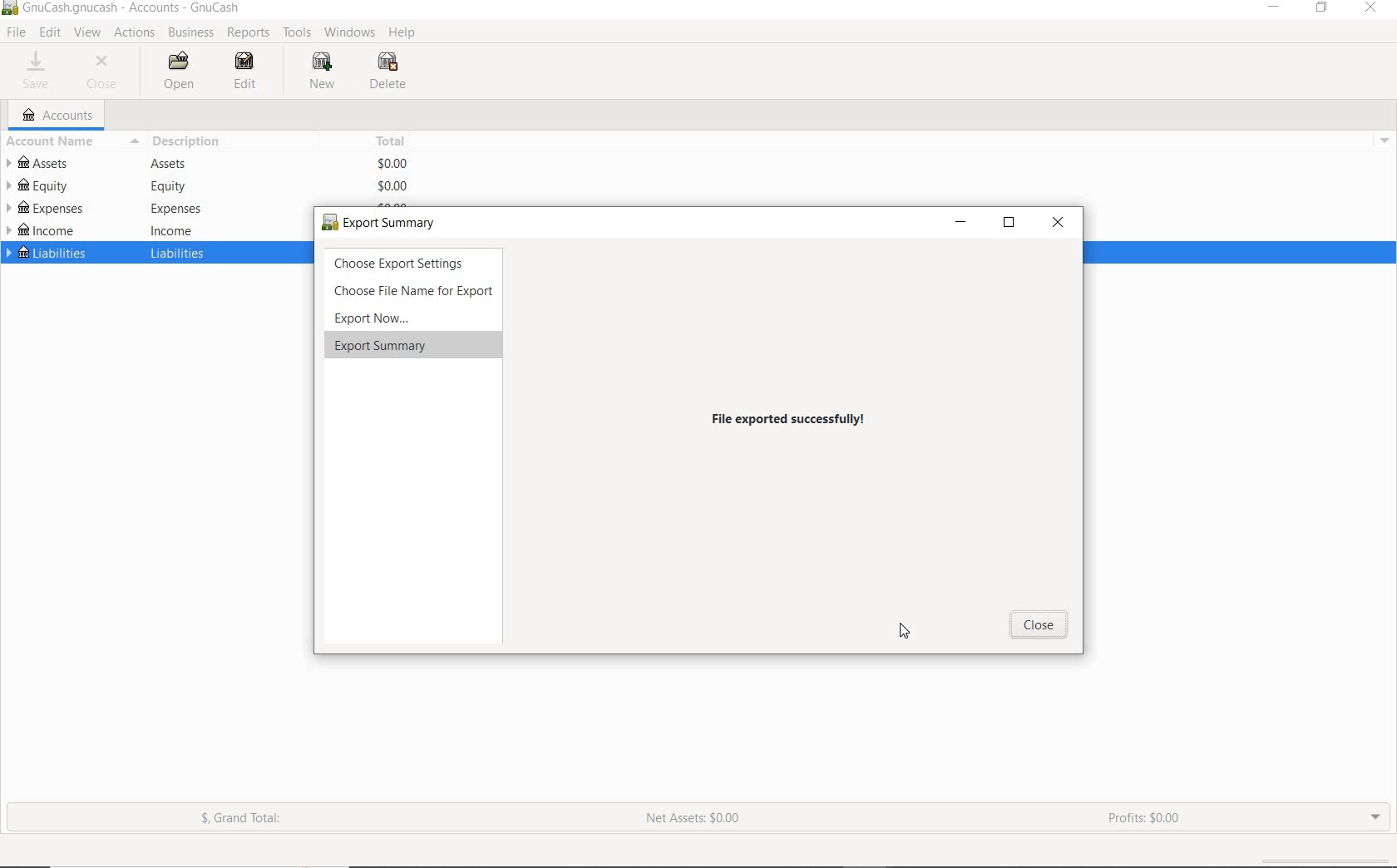 This screenshot has width=1397, height=868. I want to click on BUSINESS, so click(190, 33).